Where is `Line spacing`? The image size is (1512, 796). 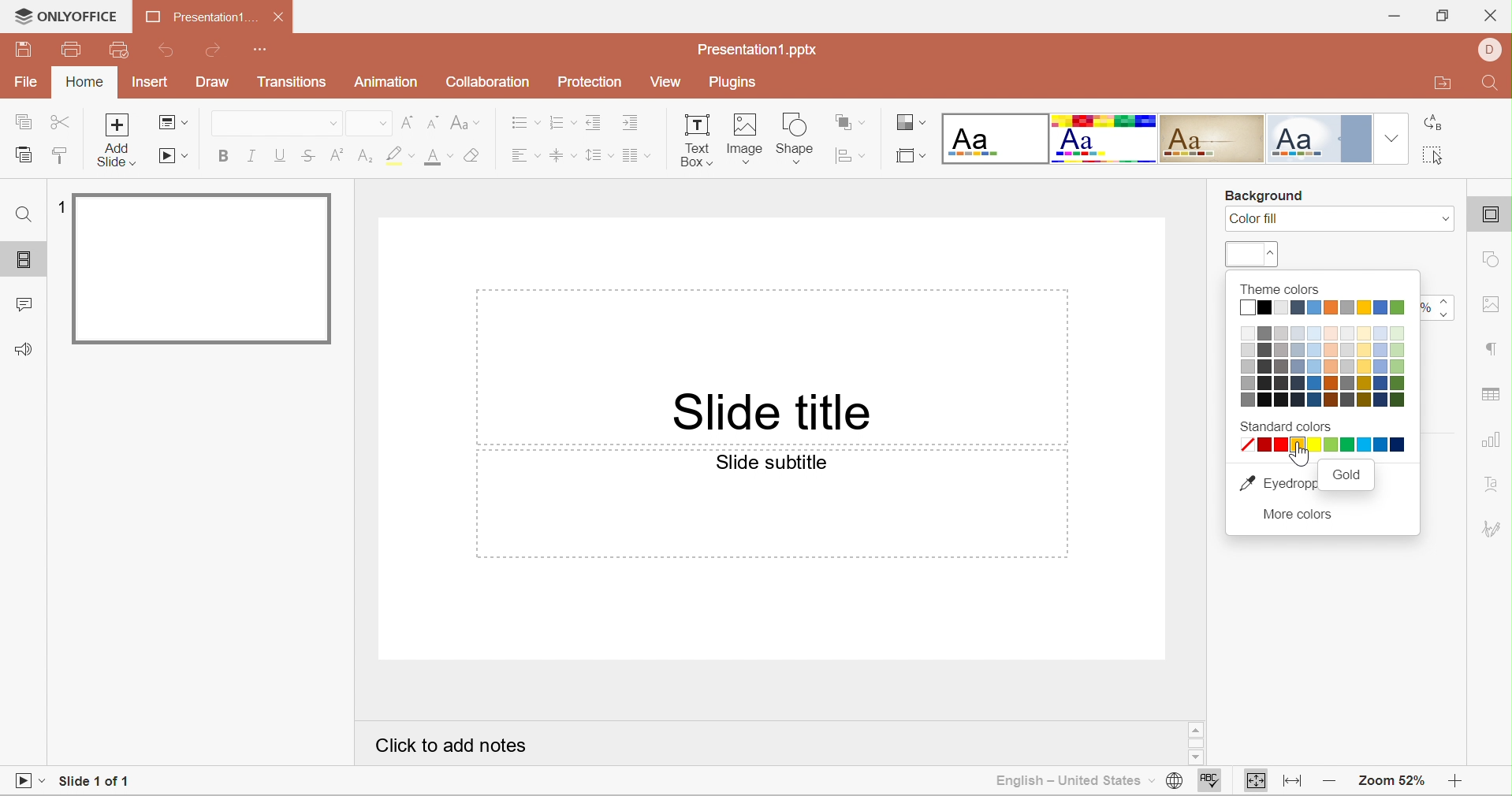
Line spacing is located at coordinates (598, 154).